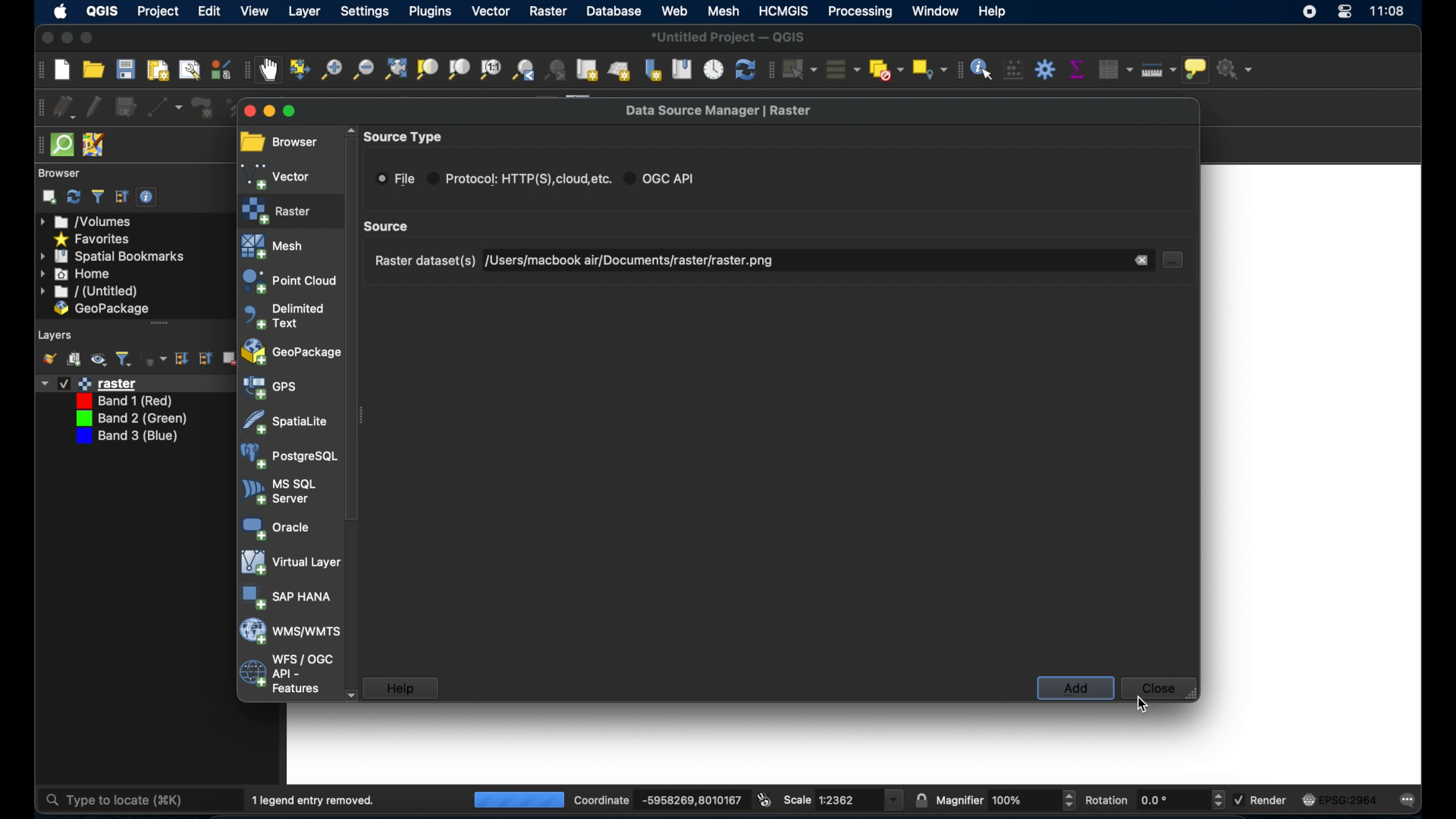  Describe the element at coordinates (406, 135) in the screenshot. I see `source type` at that location.